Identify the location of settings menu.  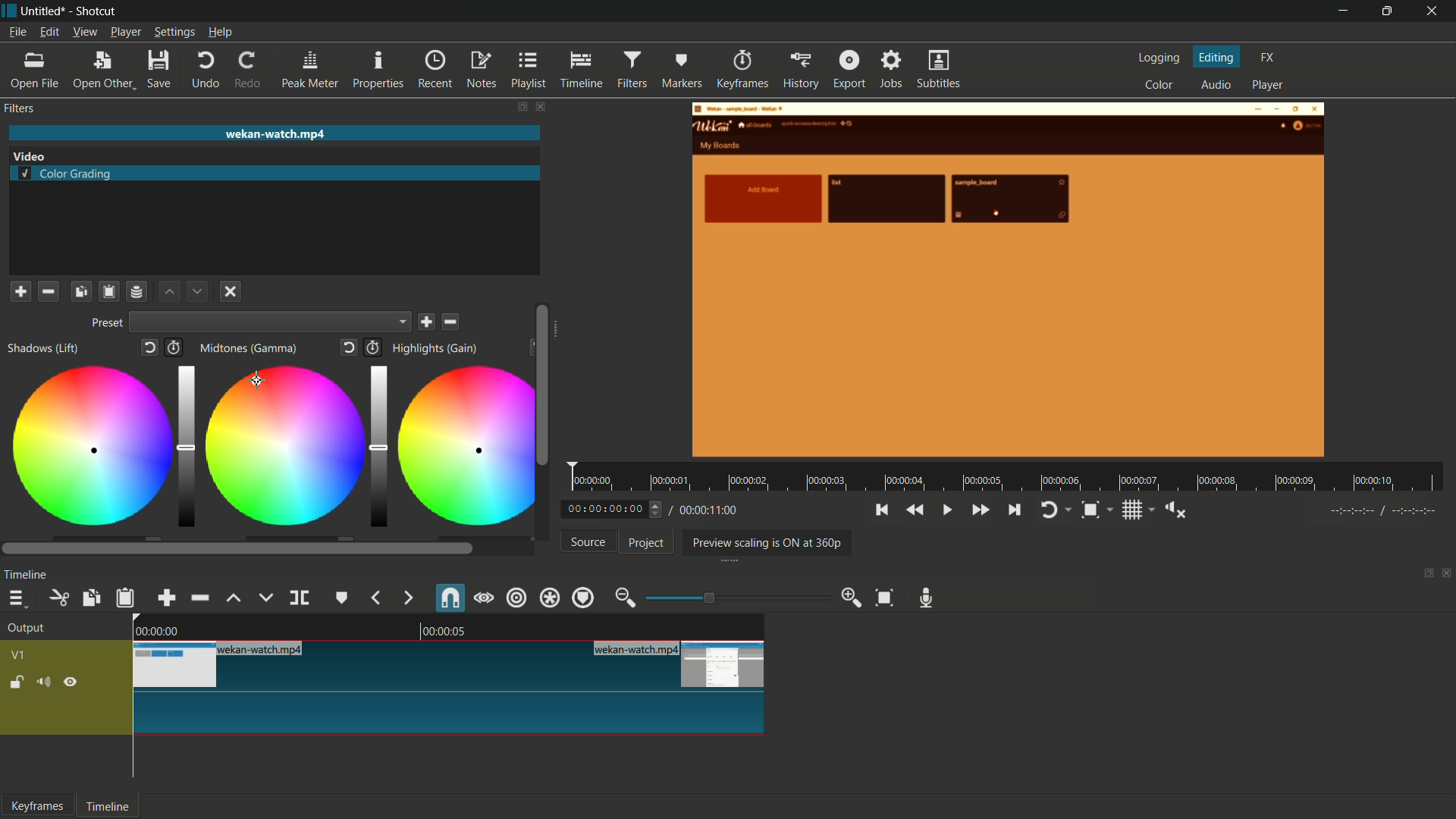
(174, 32).